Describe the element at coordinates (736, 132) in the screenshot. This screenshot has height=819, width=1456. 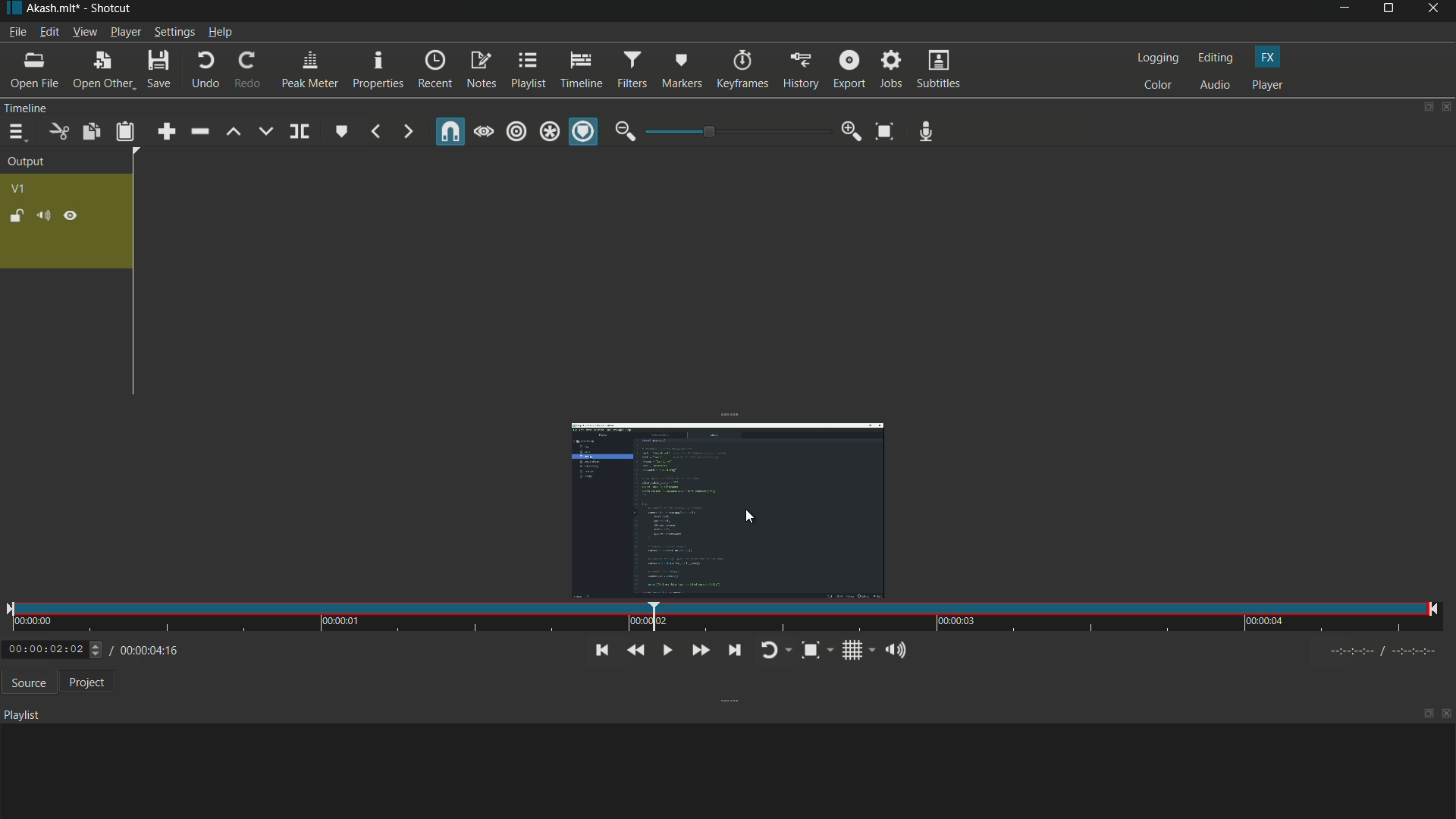
I see `adjustment bar` at that location.